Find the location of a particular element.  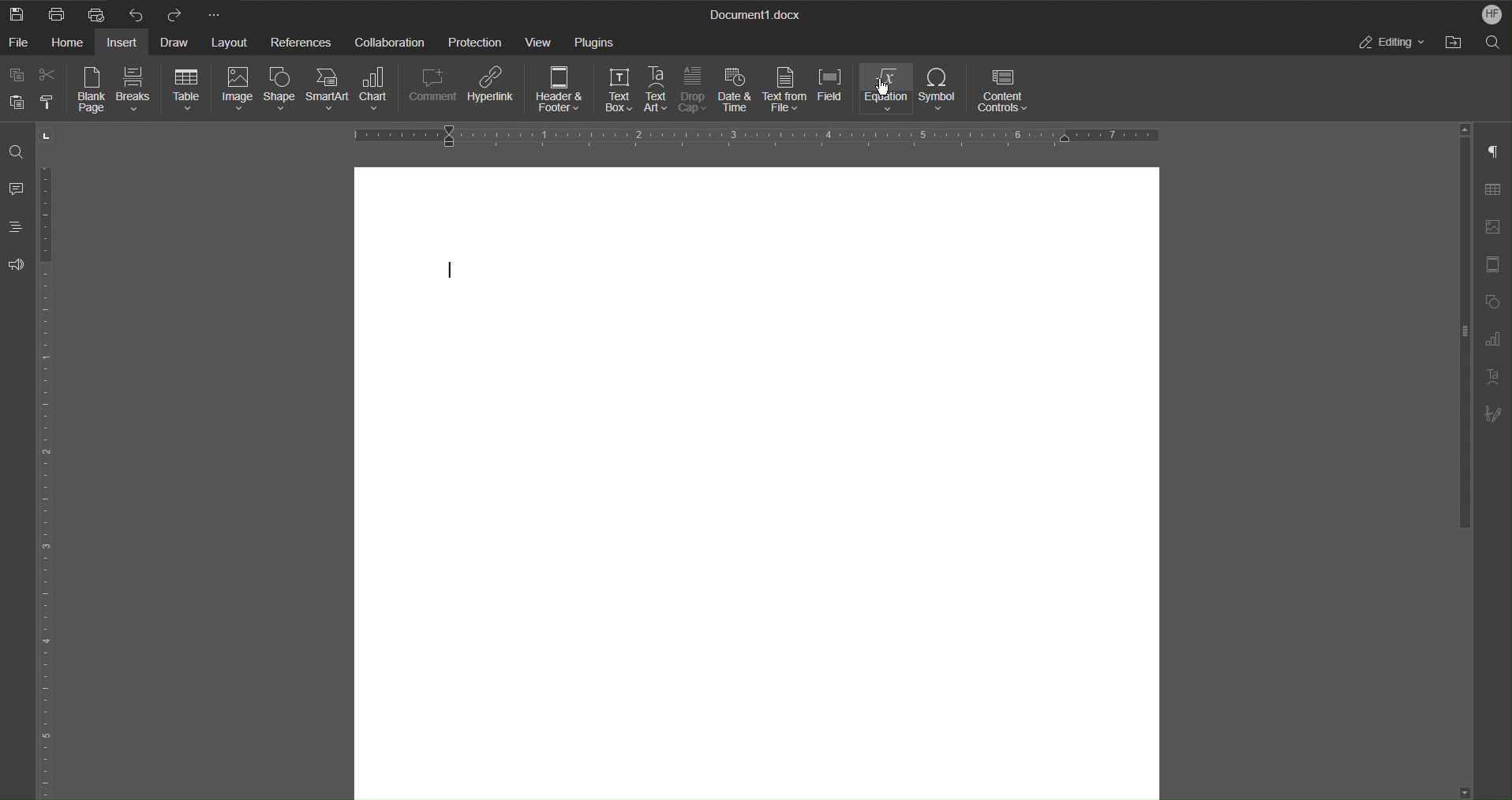

Text from File is located at coordinates (786, 90).